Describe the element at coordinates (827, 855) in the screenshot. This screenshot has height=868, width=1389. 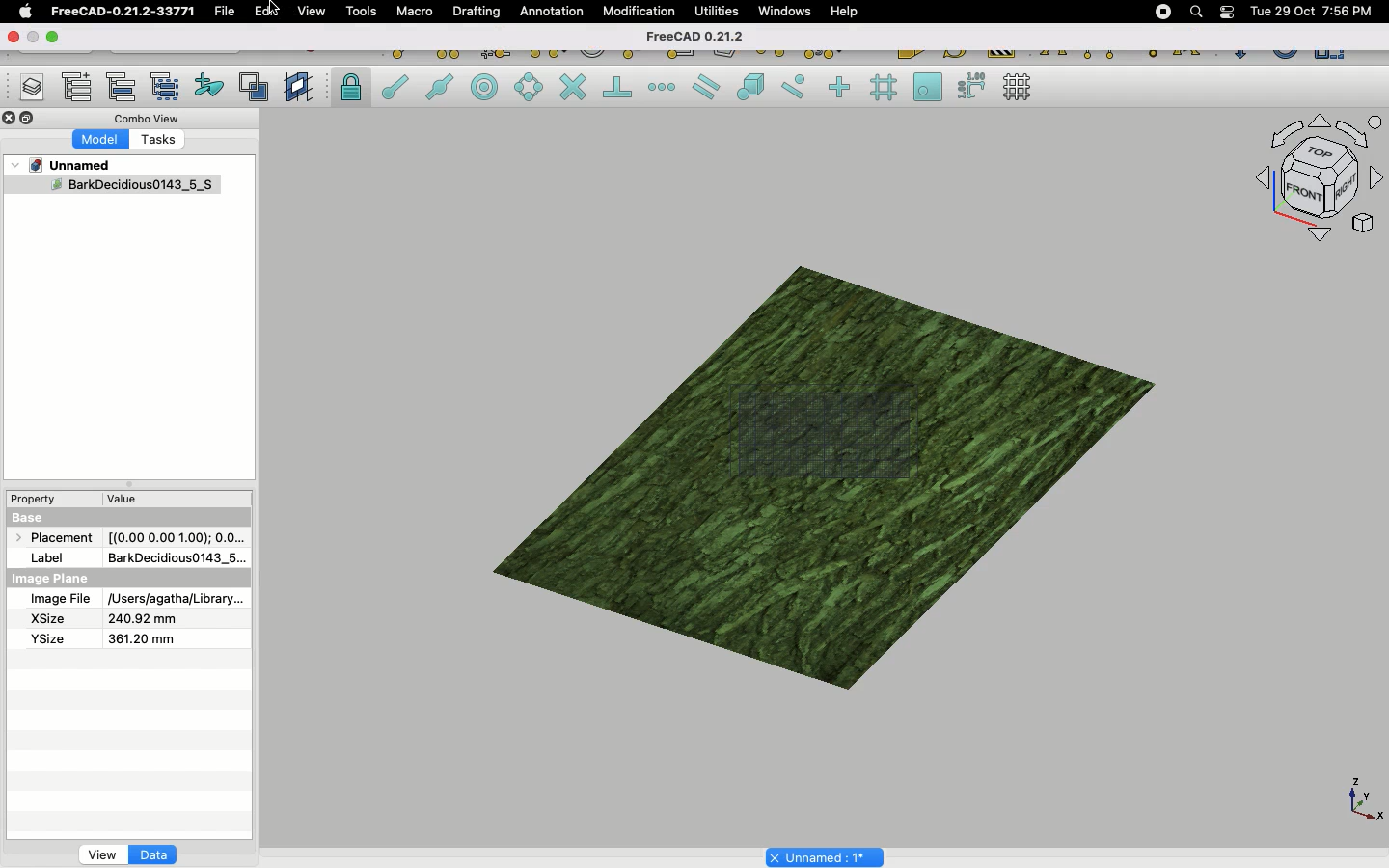
I see `Project name` at that location.